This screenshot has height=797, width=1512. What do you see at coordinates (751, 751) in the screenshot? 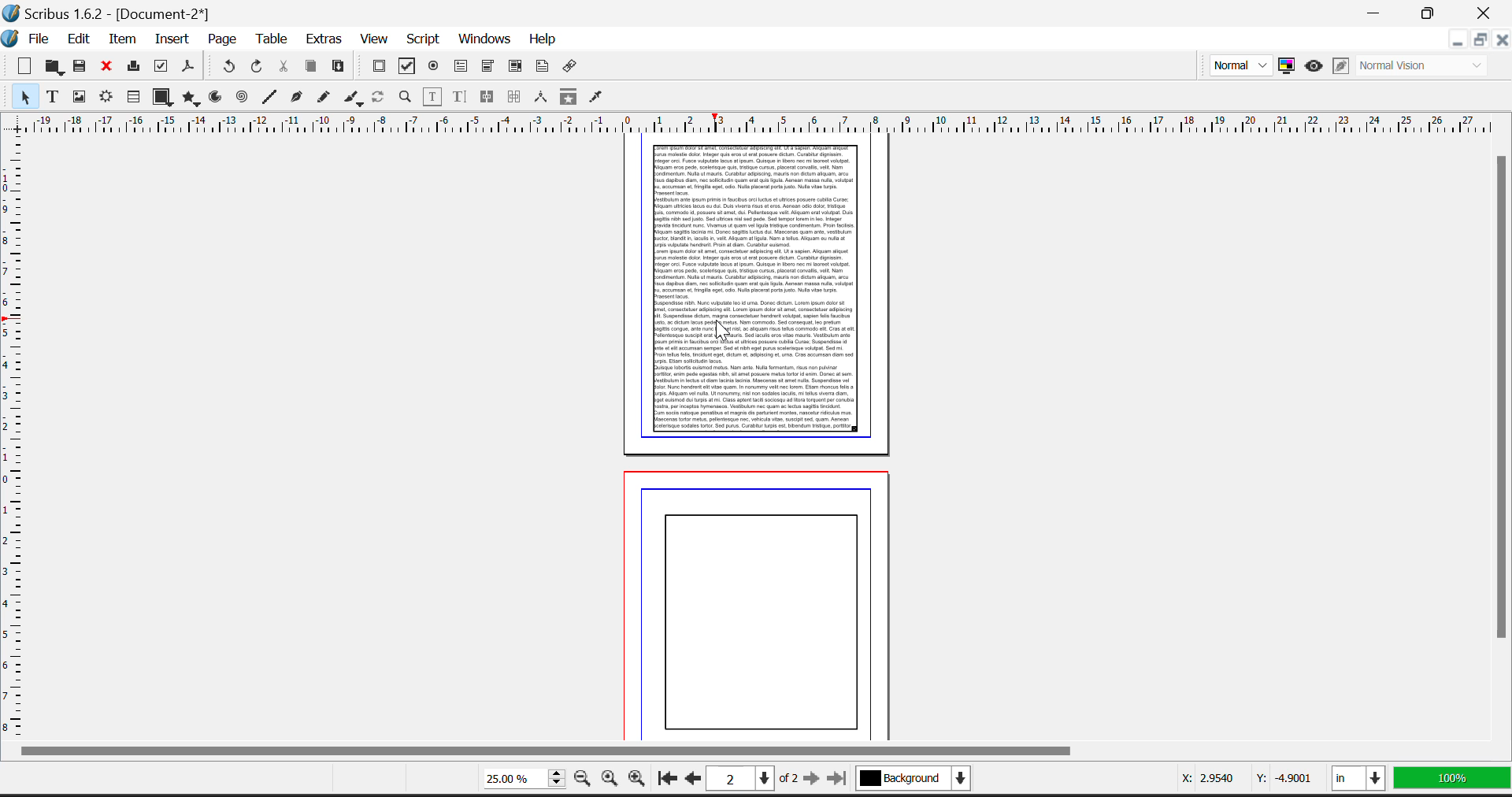
I see `Scroll Bar` at bounding box center [751, 751].